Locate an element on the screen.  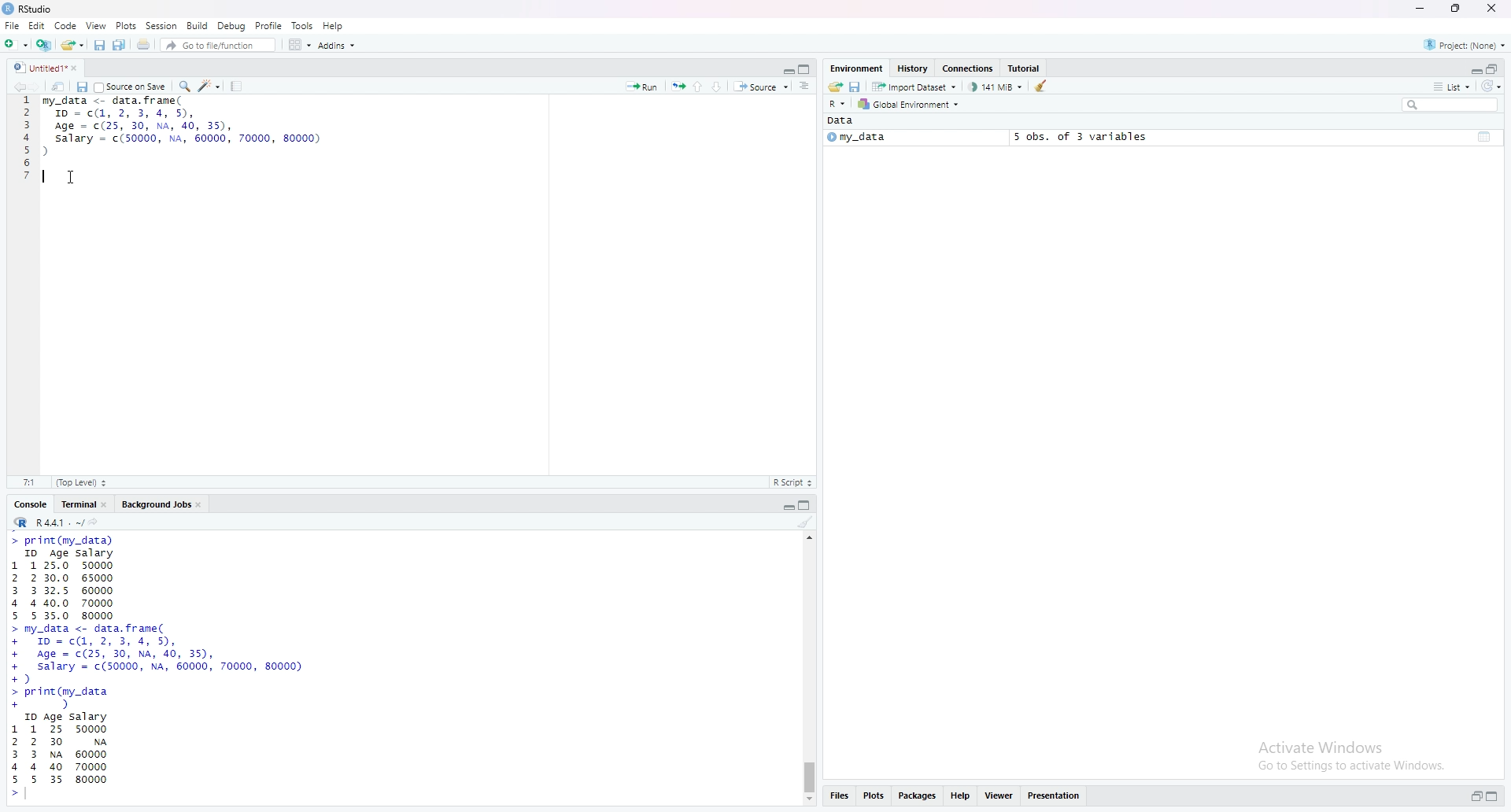
Environment is located at coordinates (858, 68).